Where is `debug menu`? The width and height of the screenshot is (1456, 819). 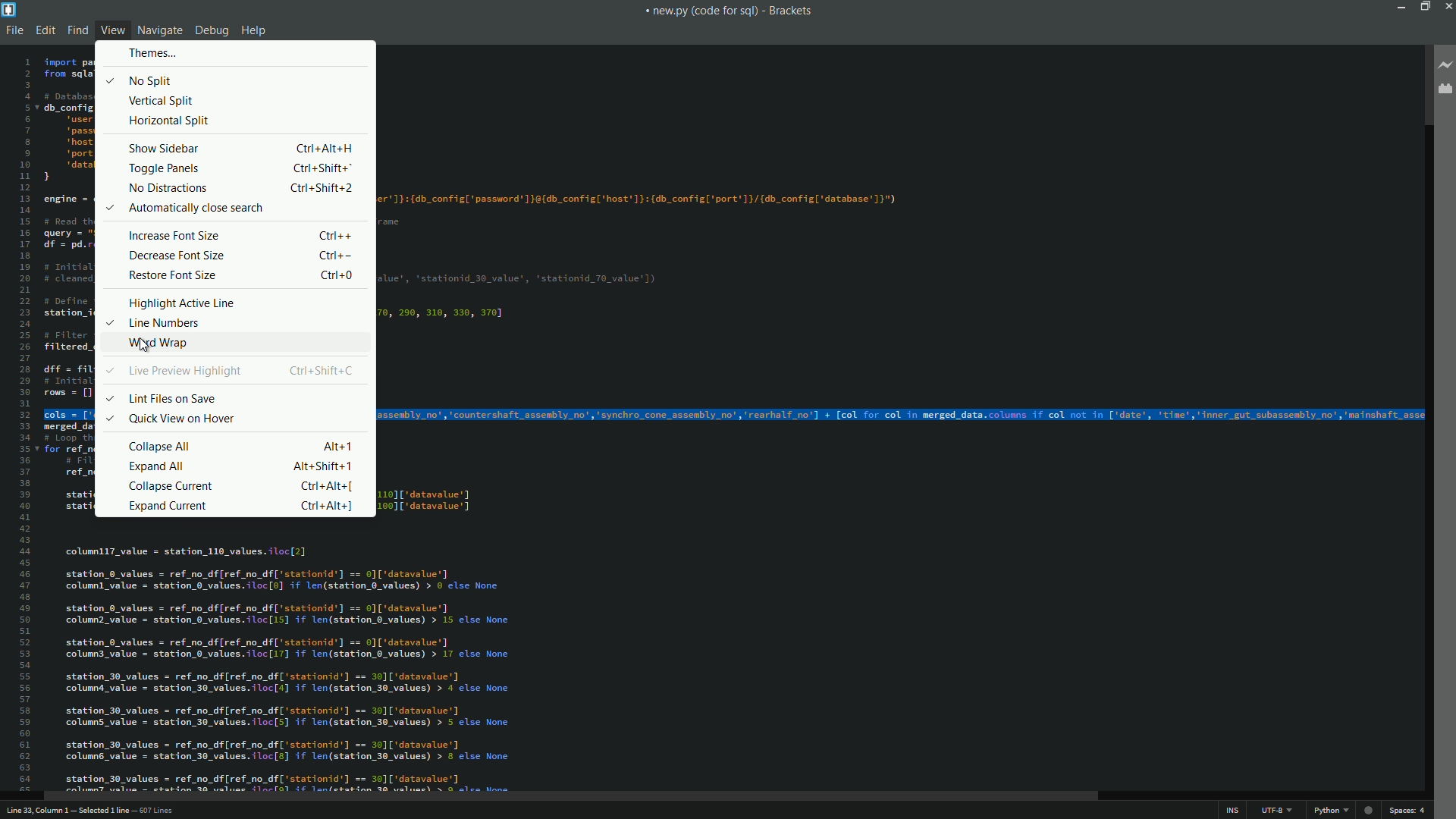
debug menu is located at coordinates (212, 31).